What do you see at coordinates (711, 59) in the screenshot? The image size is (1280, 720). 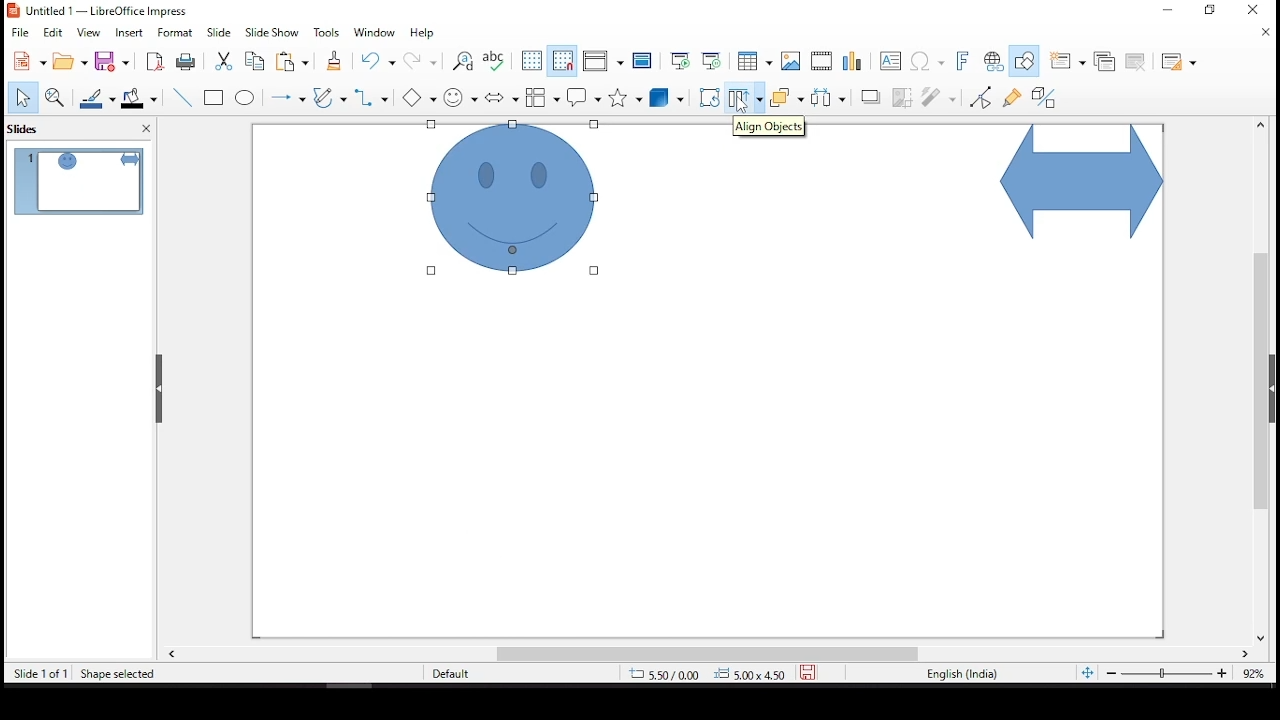 I see `start from current slide` at bounding box center [711, 59].